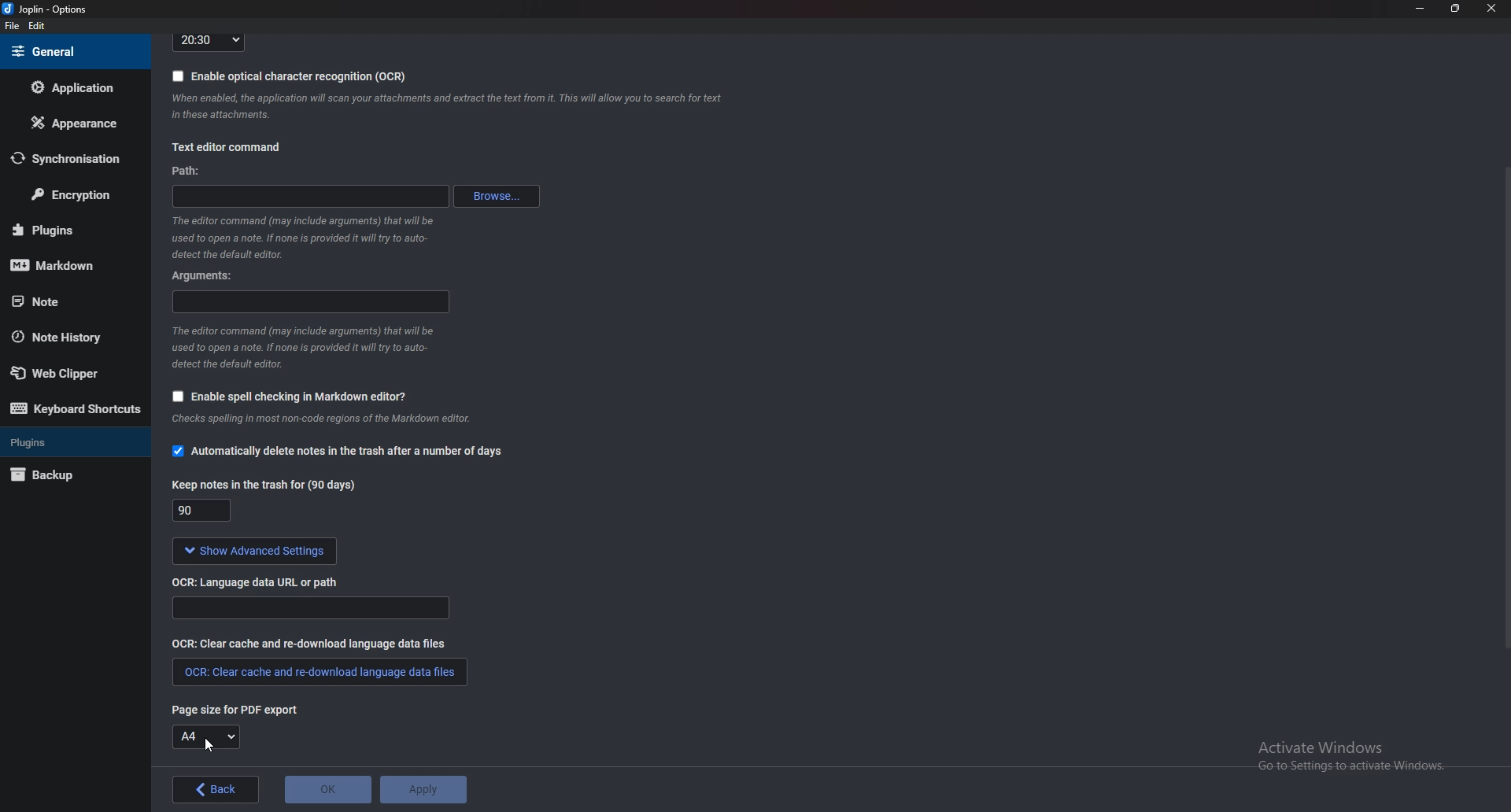 The height and width of the screenshot is (812, 1511). What do you see at coordinates (68, 230) in the screenshot?
I see `plugins` at bounding box center [68, 230].